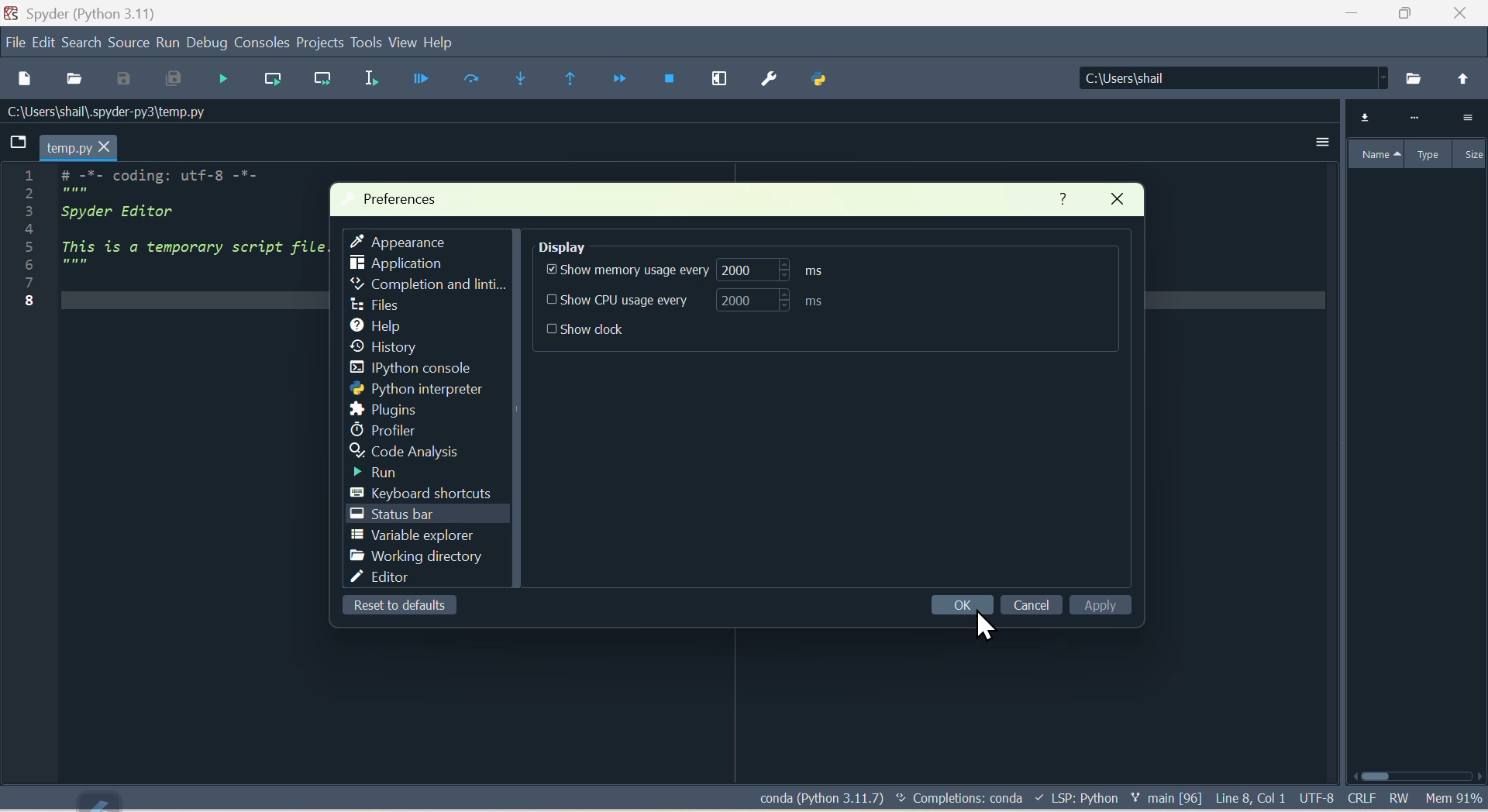 The image size is (1488, 812). Describe the element at coordinates (74, 78) in the screenshot. I see `Open file` at that location.